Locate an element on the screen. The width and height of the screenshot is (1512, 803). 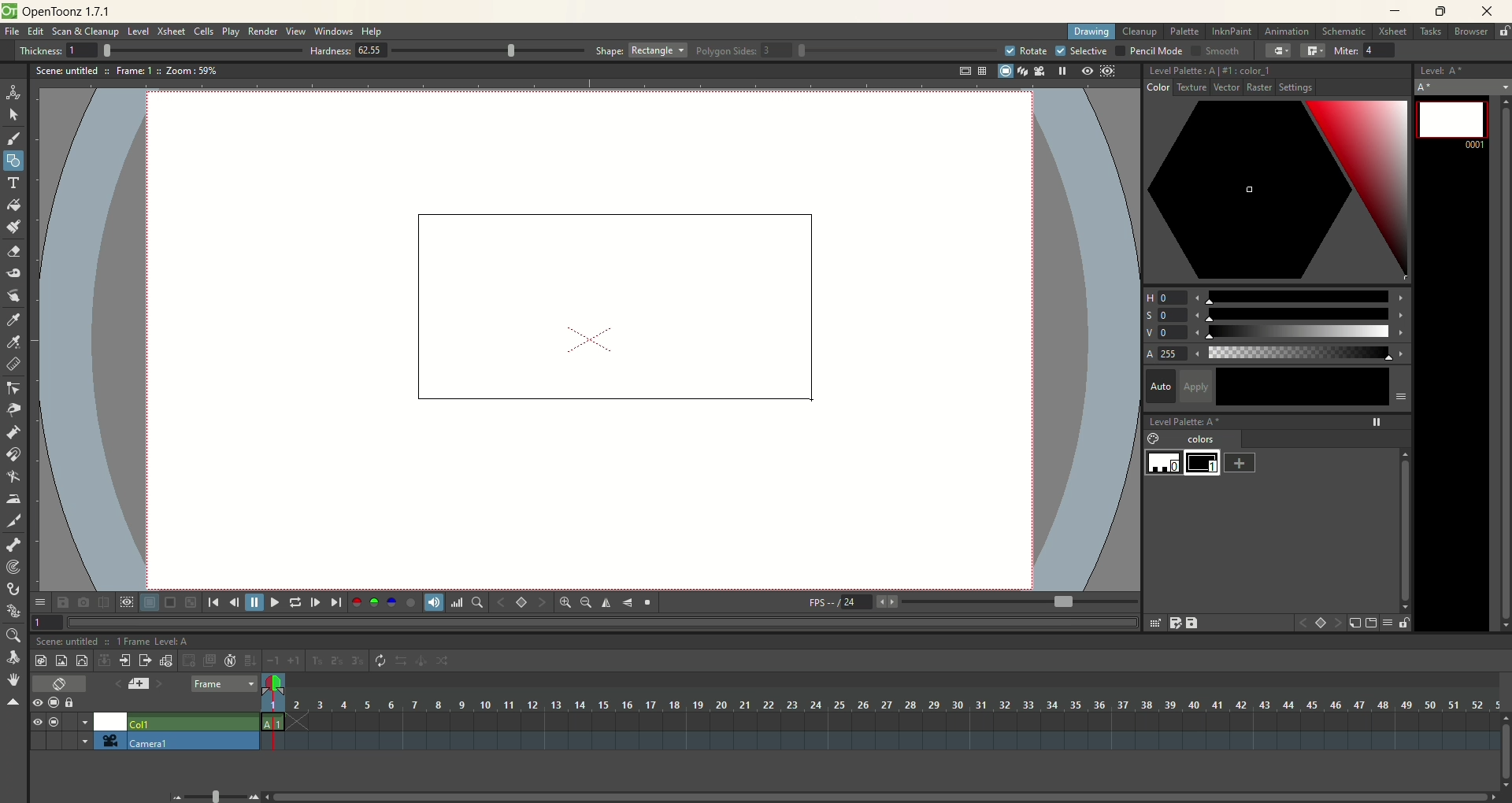
freeze is located at coordinates (1059, 71).